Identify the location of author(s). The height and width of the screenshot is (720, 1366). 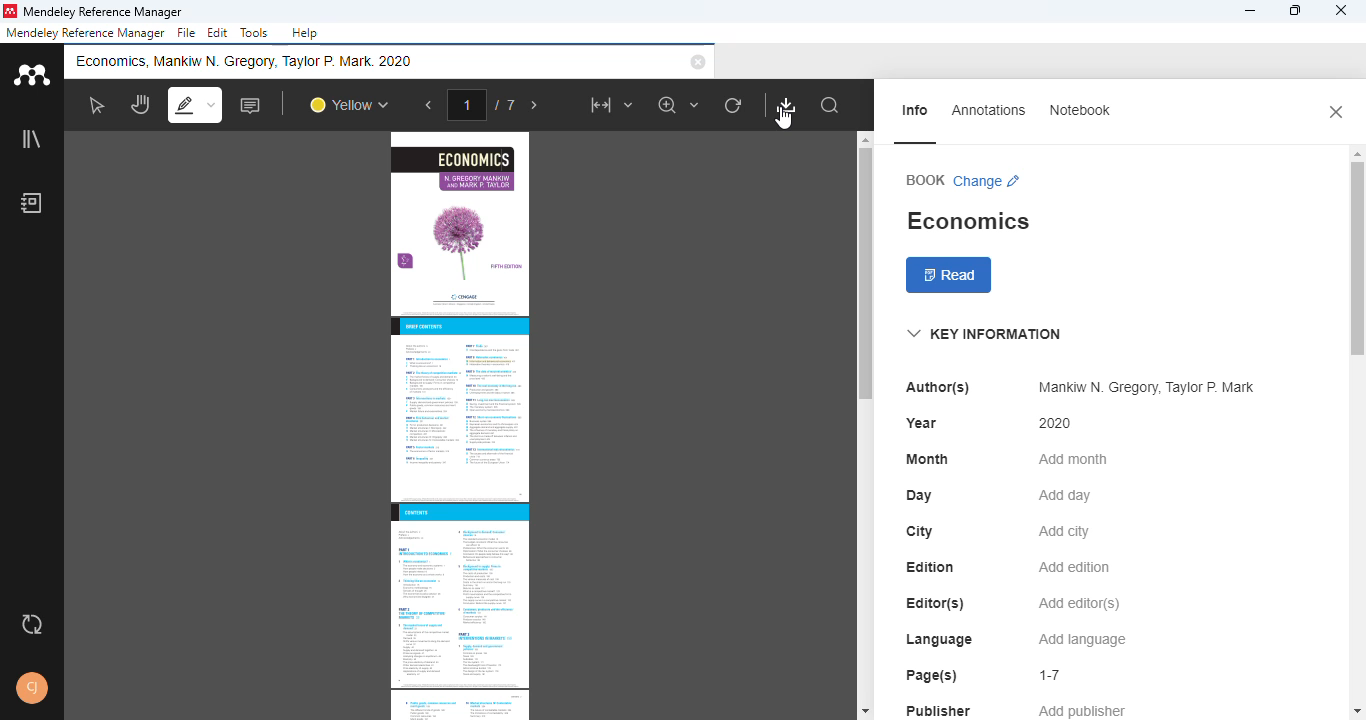
(938, 387).